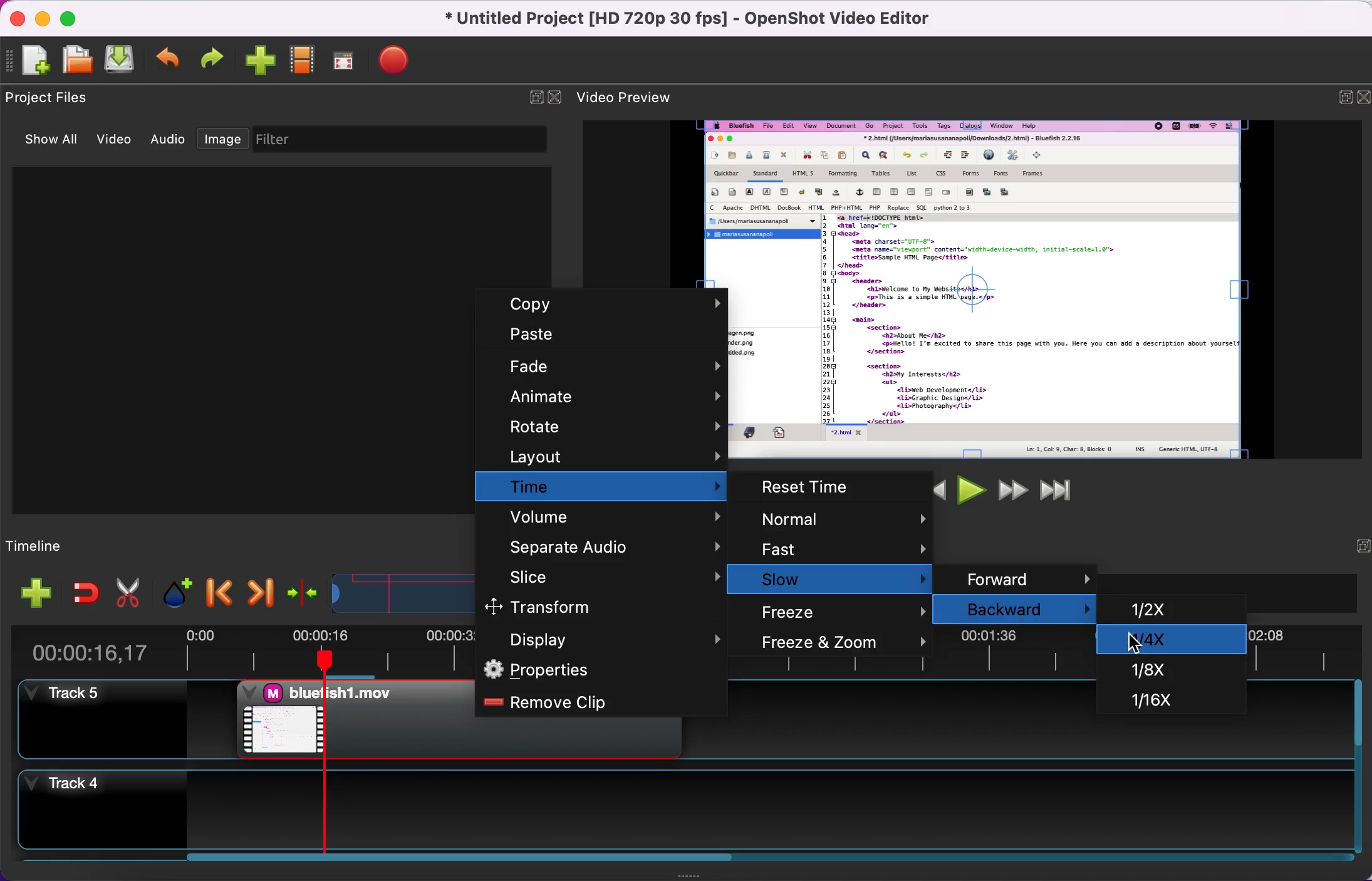 This screenshot has width=1372, height=881. What do you see at coordinates (1158, 608) in the screenshot?
I see `1/2x` at bounding box center [1158, 608].